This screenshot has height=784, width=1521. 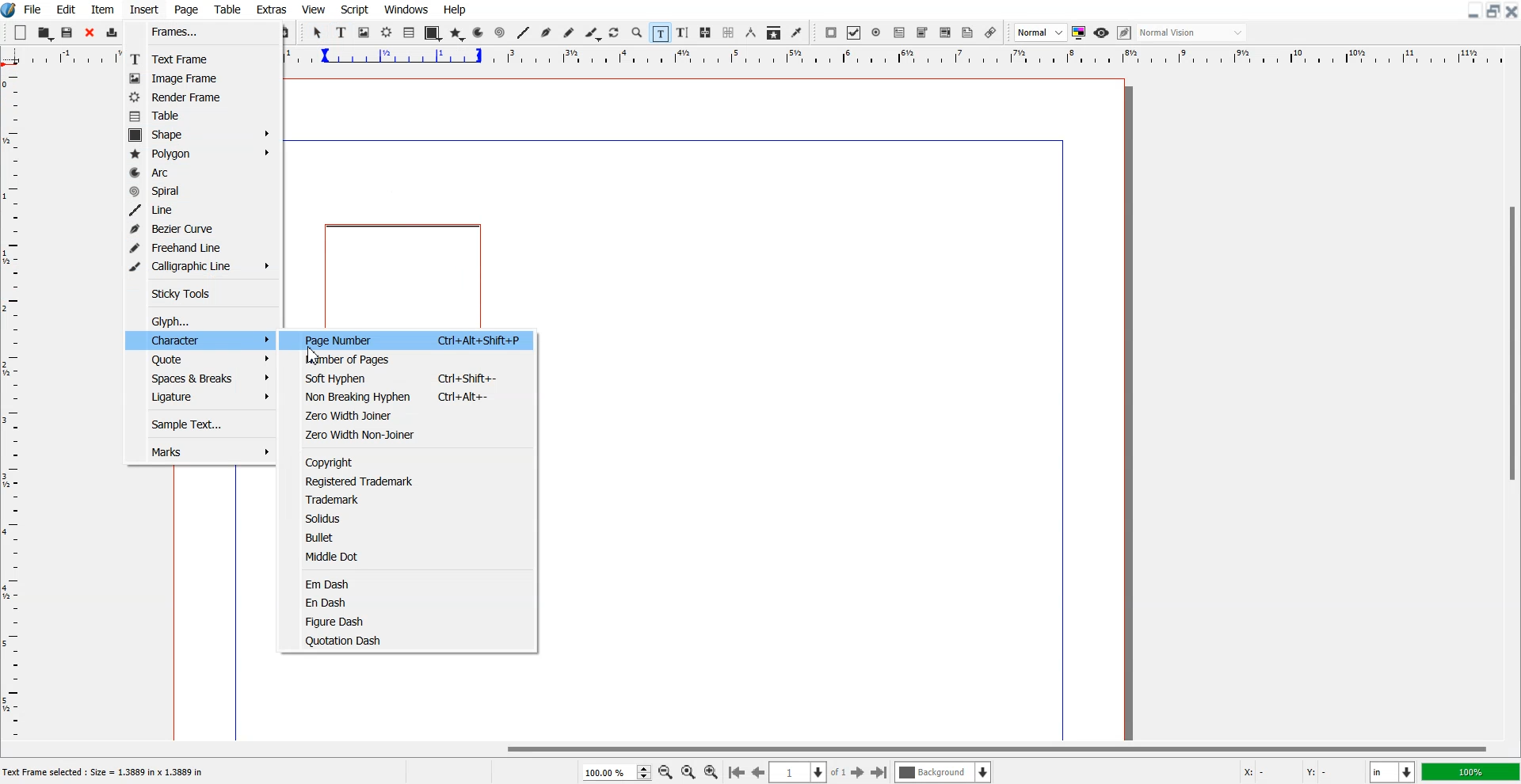 I want to click on Registered Trademark, so click(x=413, y=481).